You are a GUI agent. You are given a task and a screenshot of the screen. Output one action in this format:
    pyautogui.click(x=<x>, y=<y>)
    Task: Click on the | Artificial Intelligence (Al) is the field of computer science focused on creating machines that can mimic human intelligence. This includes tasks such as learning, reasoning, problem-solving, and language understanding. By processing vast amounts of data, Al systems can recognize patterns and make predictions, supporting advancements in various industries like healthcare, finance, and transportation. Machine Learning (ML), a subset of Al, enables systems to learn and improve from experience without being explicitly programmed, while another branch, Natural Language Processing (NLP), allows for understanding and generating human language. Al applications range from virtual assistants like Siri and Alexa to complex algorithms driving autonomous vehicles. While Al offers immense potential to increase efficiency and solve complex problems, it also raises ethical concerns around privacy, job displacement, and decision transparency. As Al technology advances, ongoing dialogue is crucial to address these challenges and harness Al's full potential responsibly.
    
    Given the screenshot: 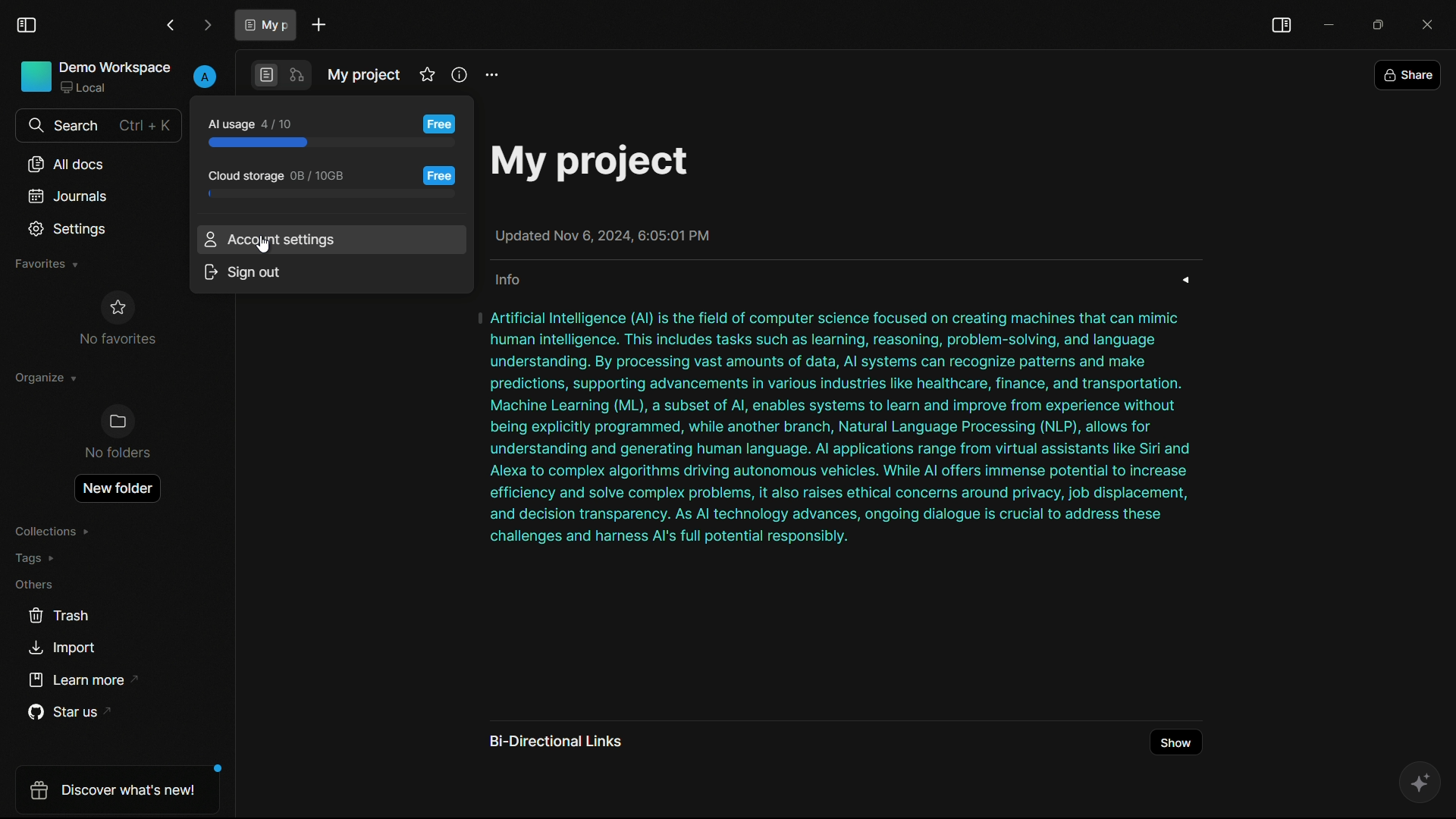 What is the action you would take?
    pyautogui.click(x=849, y=436)
    